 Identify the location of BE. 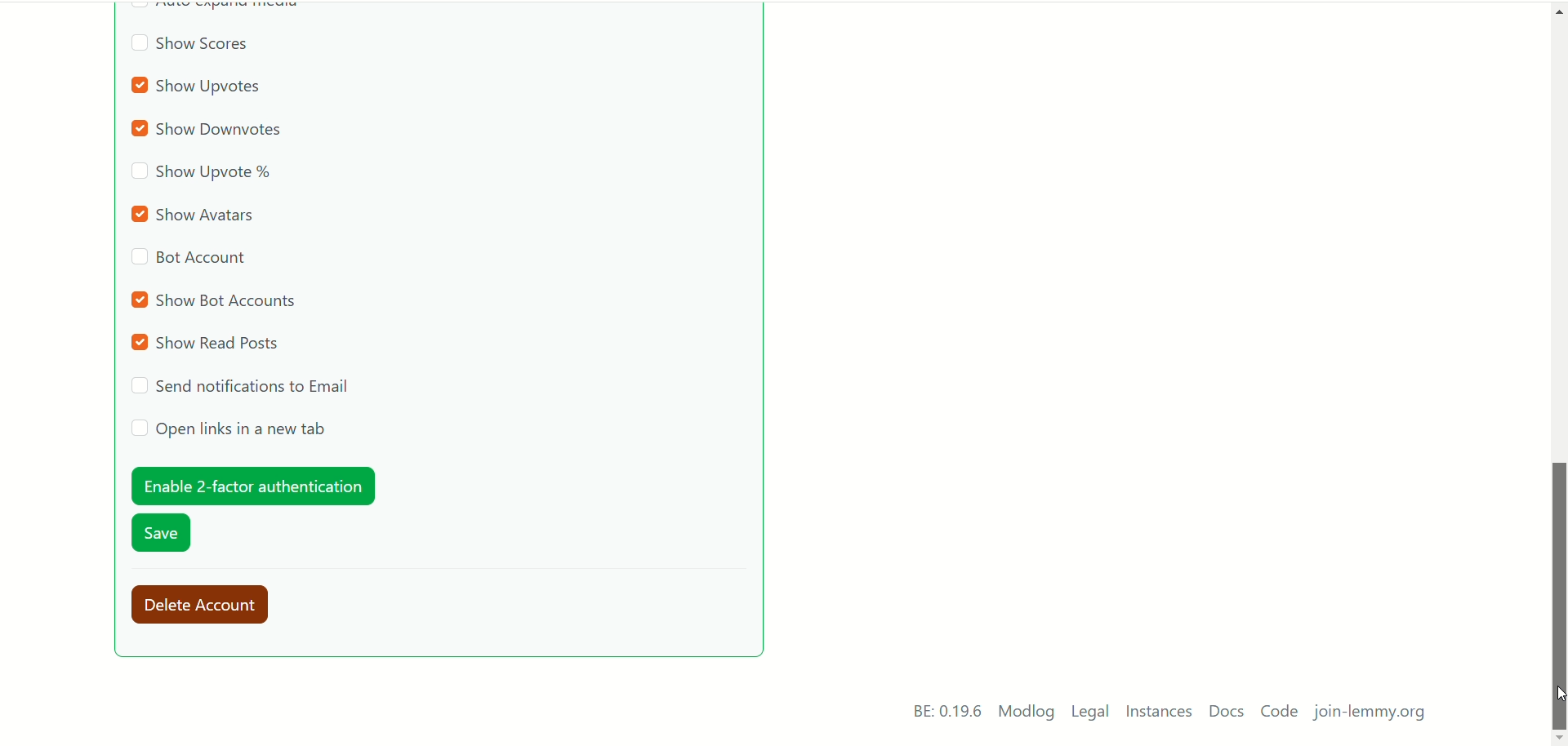
(944, 712).